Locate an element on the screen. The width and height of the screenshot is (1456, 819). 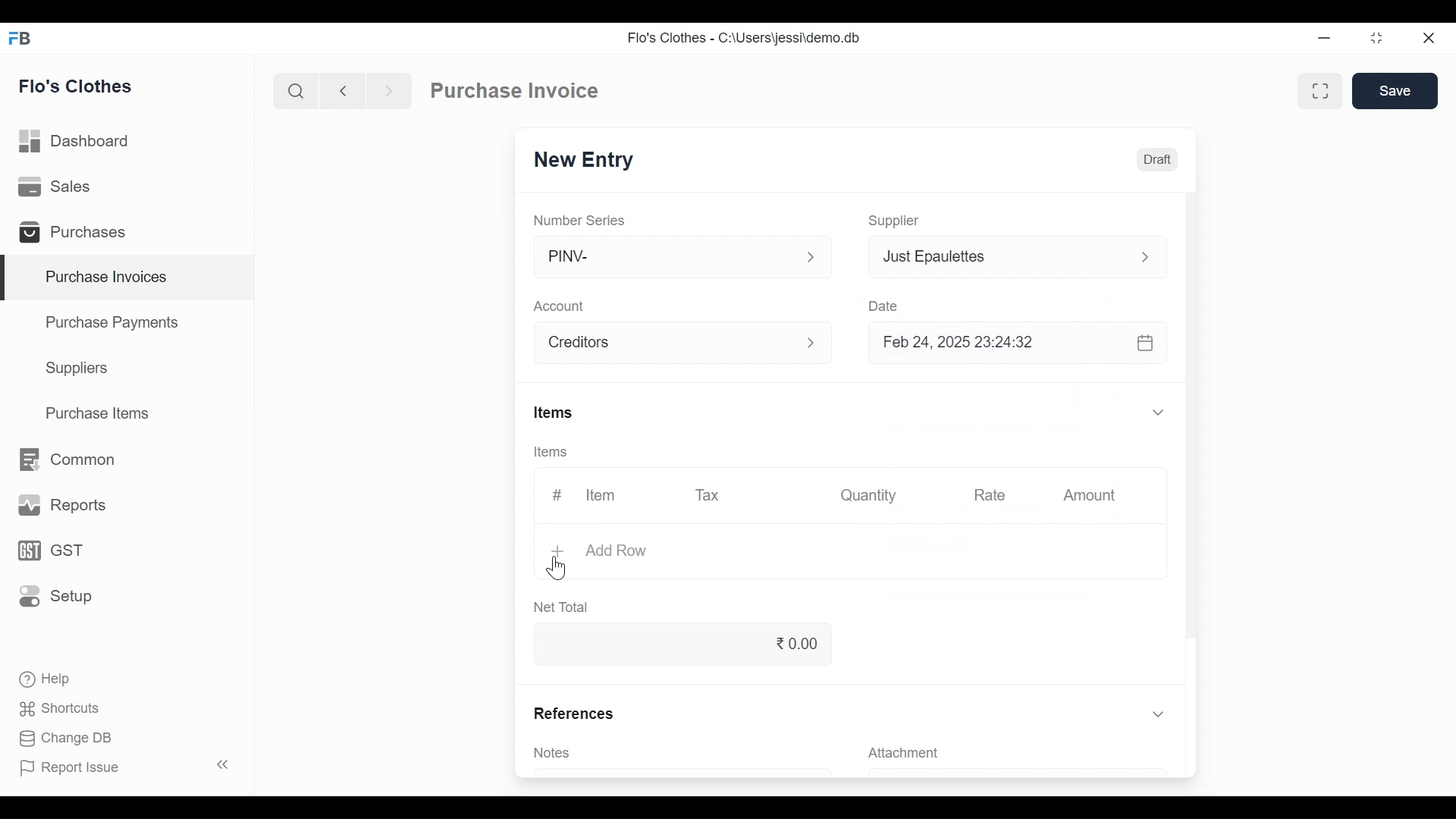
Rate is located at coordinates (988, 495).